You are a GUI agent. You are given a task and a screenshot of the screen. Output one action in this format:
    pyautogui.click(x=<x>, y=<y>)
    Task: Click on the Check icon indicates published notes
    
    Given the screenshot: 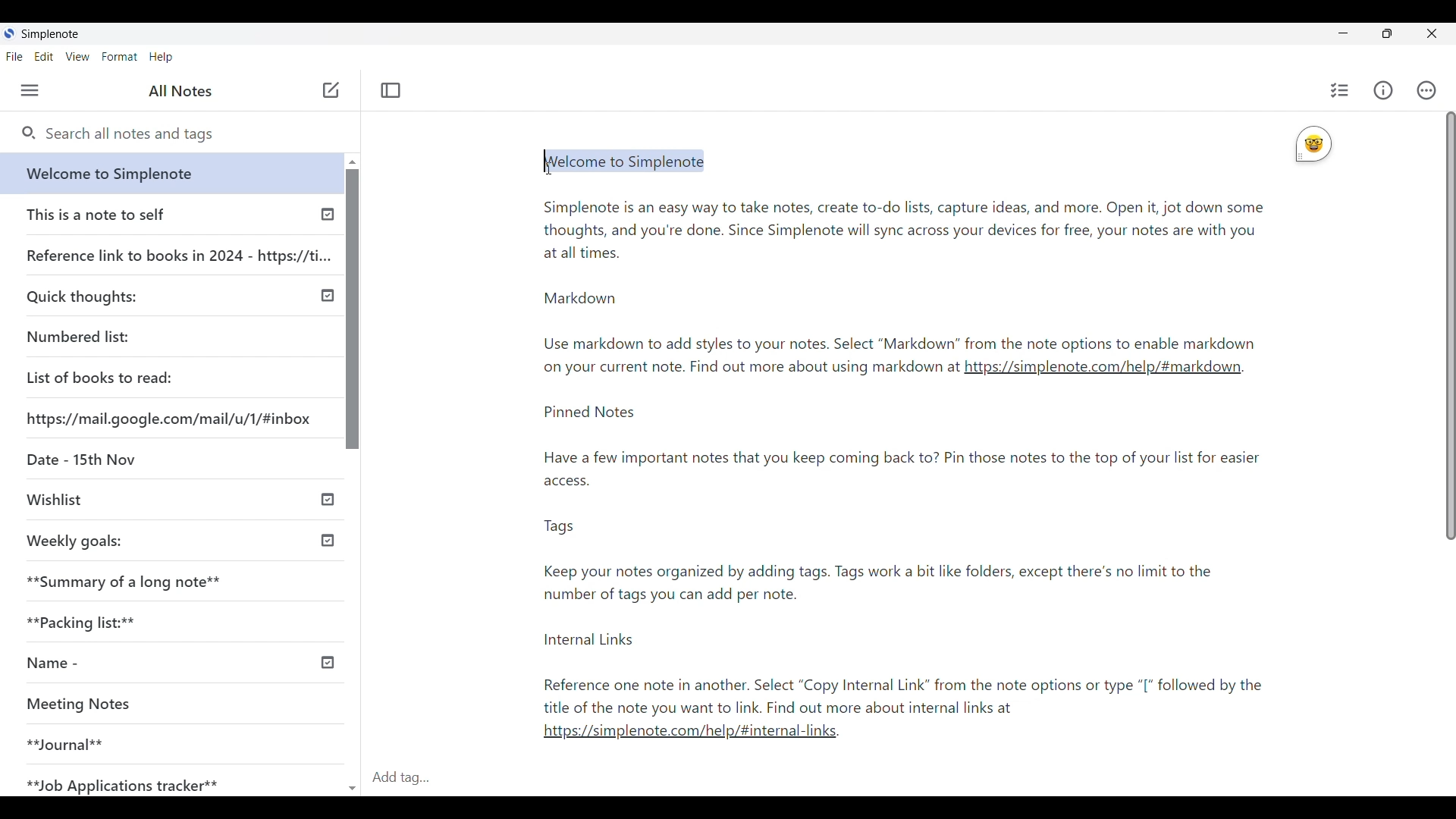 What is the action you would take?
    pyautogui.click(x=326, y=296)
    